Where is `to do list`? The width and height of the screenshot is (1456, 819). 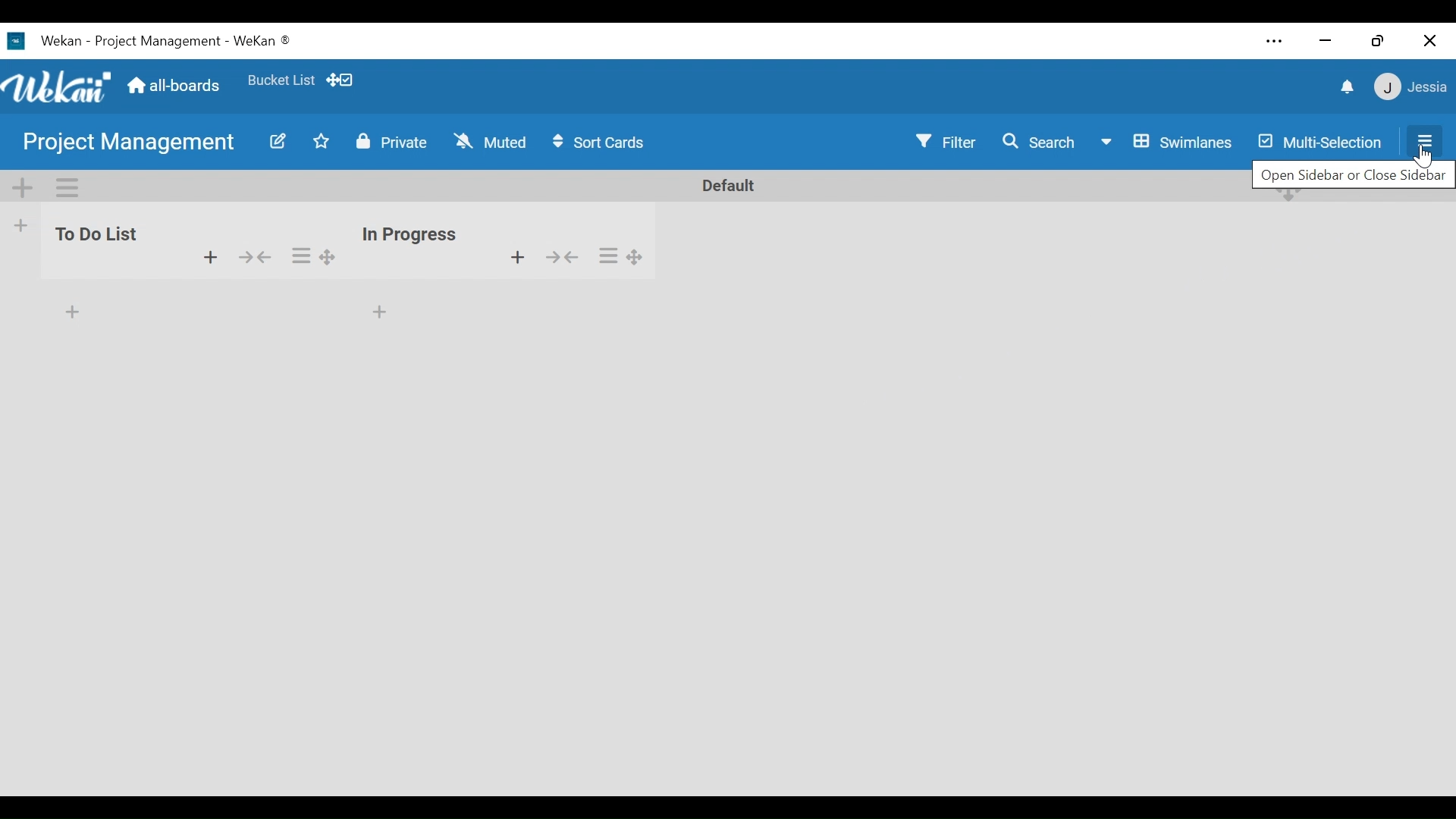 to do list is located at coordinates (97, 243).